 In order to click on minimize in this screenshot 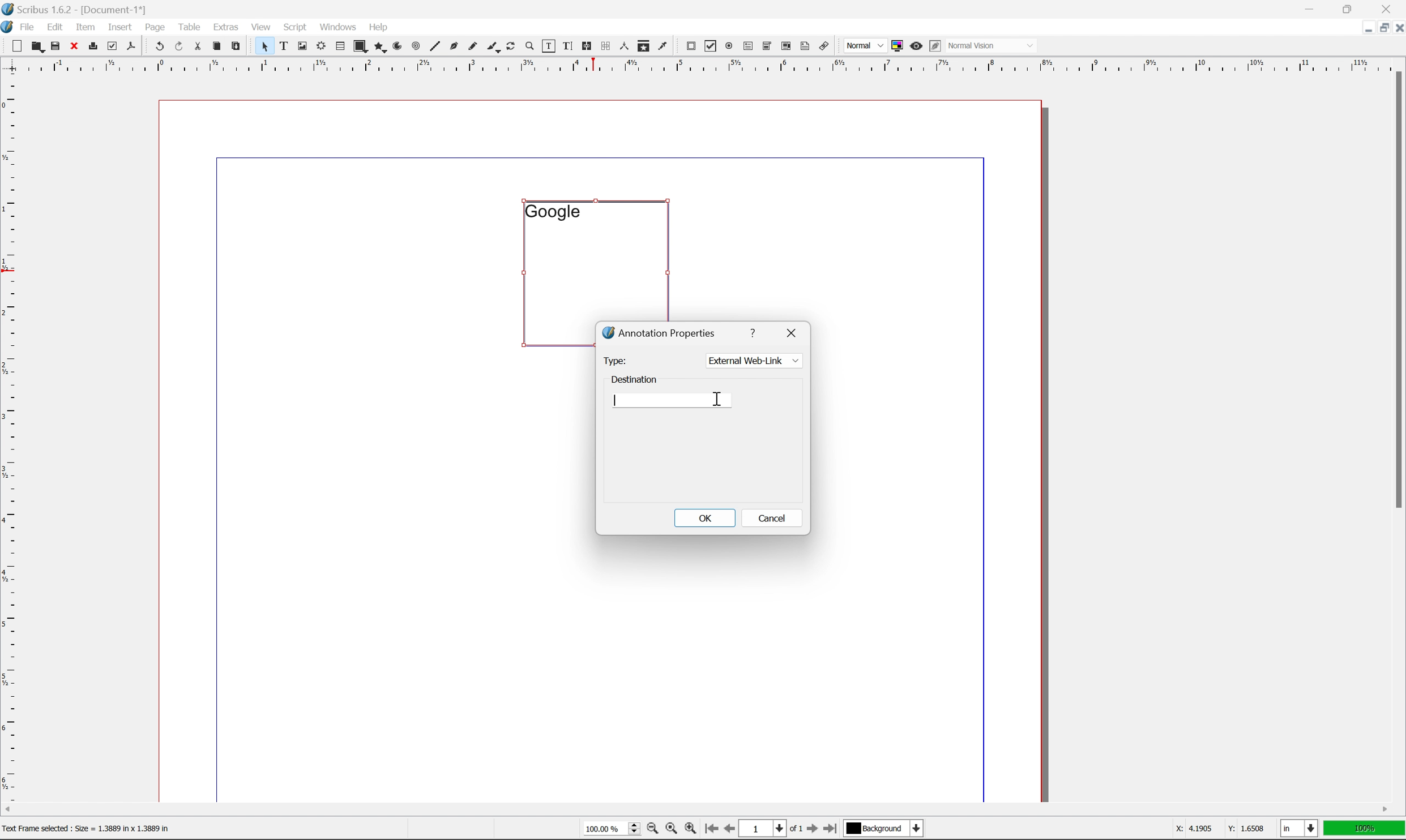, I will do `click(1361, 27)`.